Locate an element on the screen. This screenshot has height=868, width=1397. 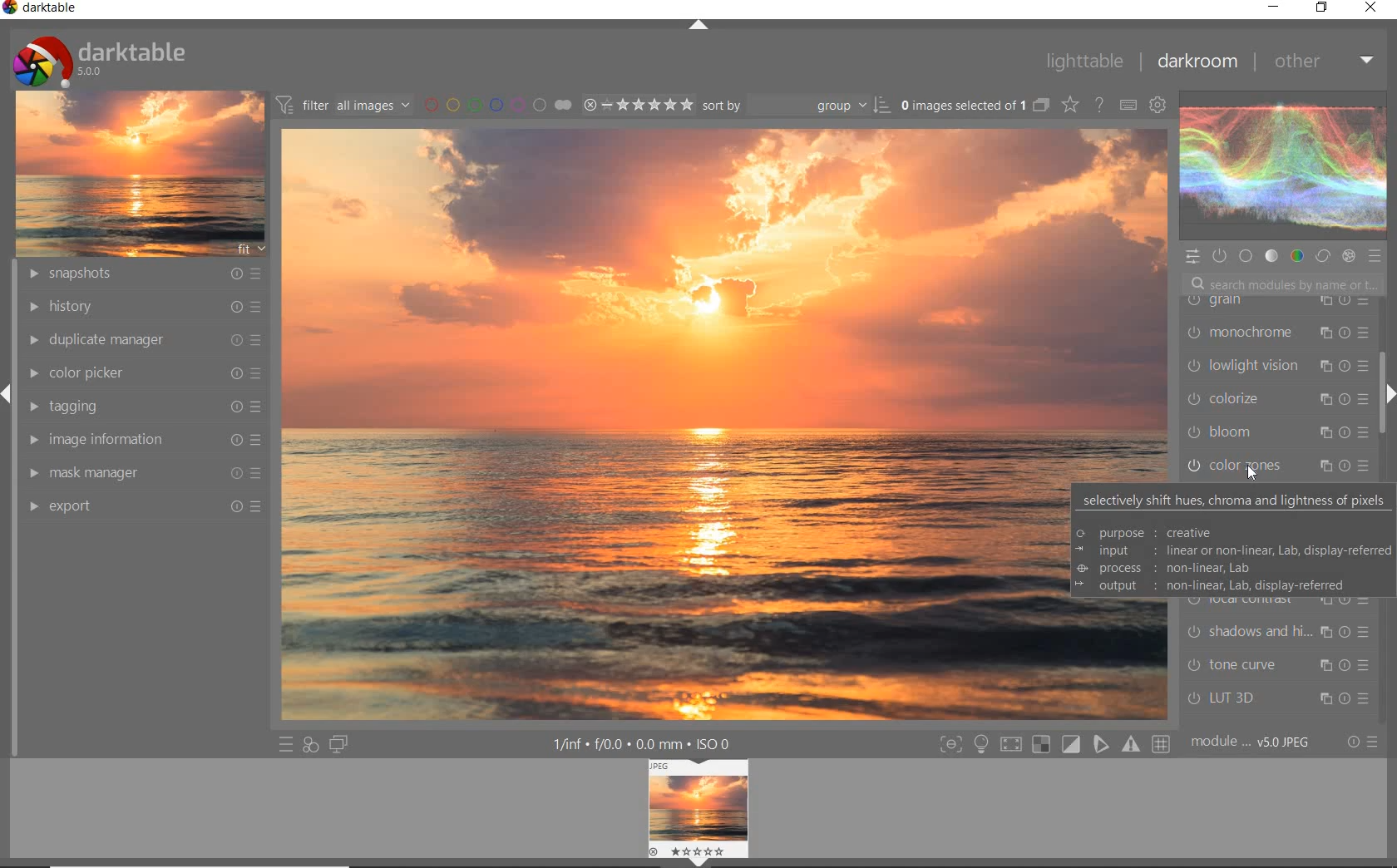
show global preference is located at coordinates (1159, 104).